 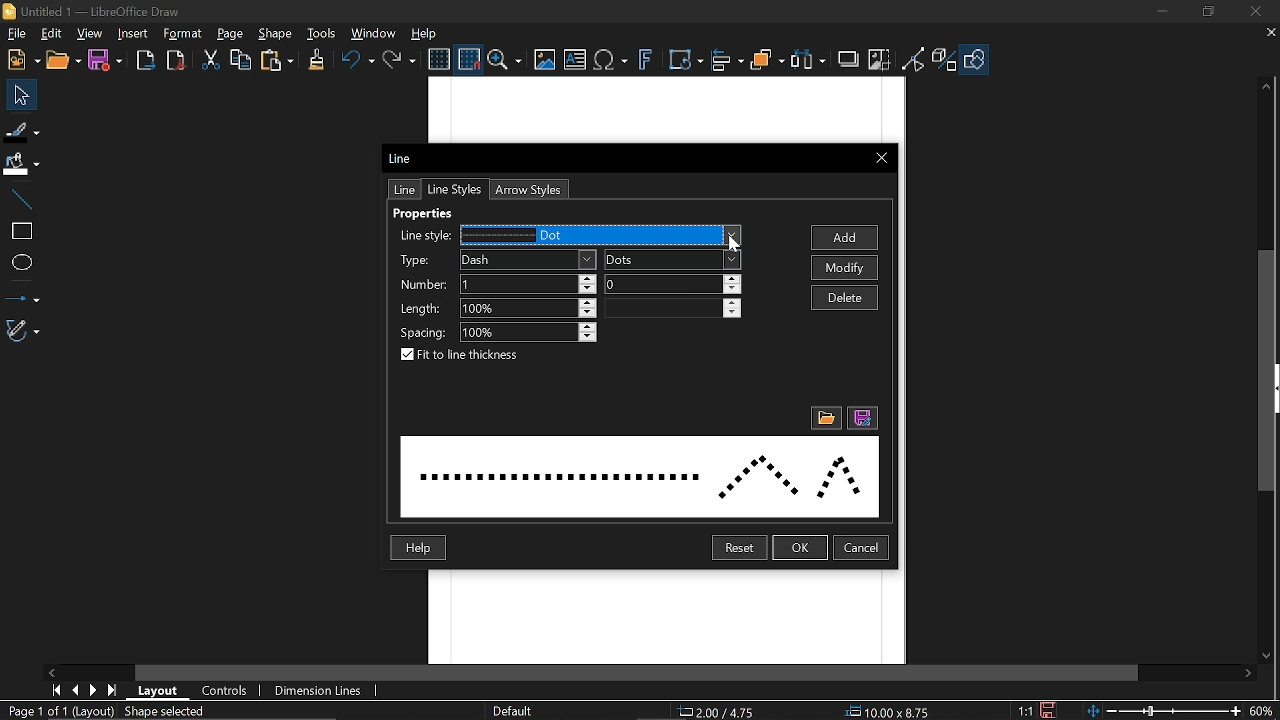 What do you see at coordinates (182, 712) in the screenshot?
I see `Shape selected` at bounding box center [182, 712].